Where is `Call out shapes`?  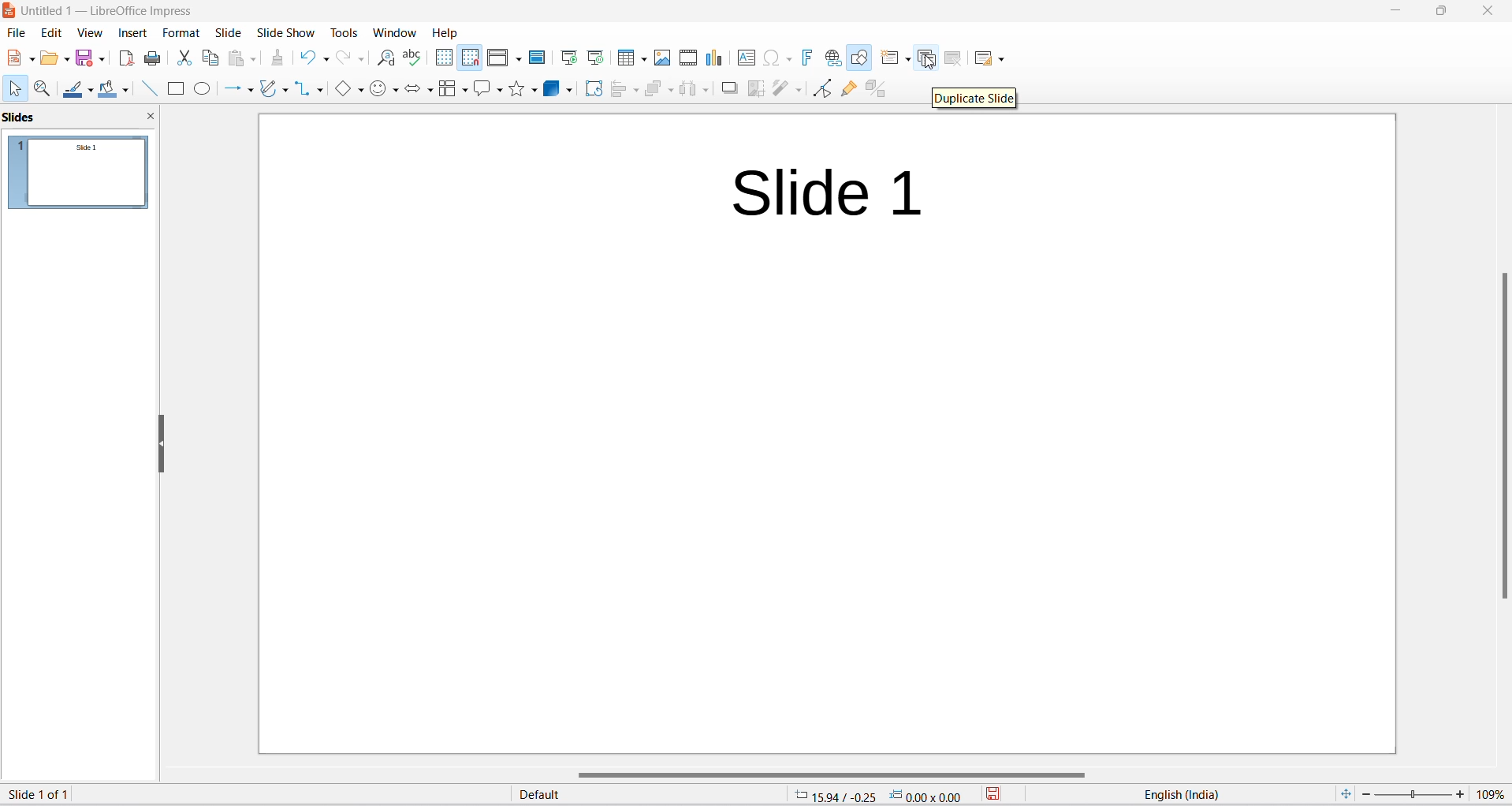 Call out shapes is located at coordinates (489, 88).